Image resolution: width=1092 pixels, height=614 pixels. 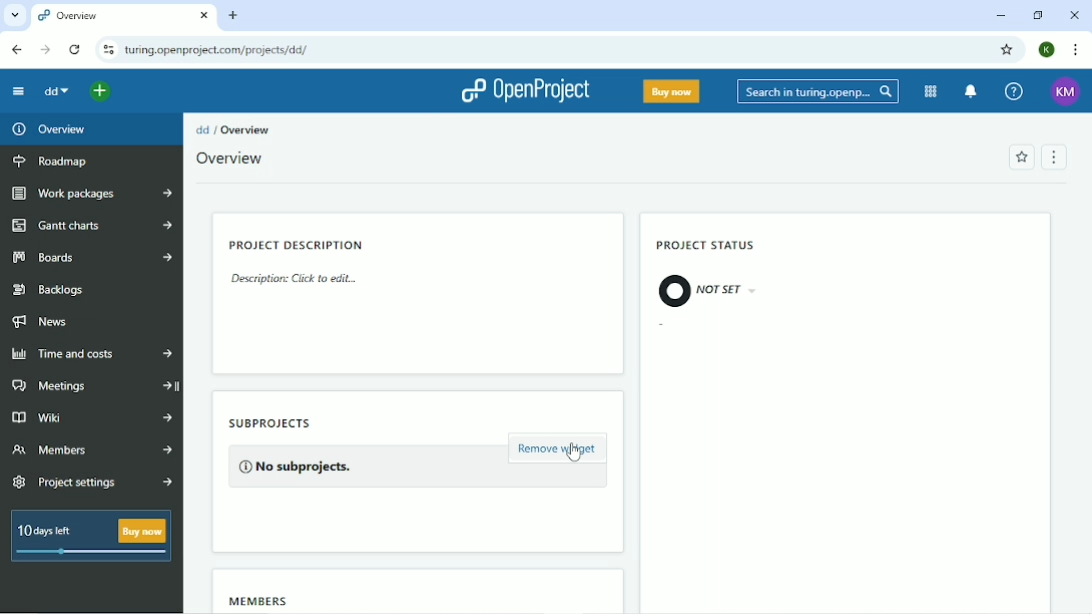 I want to click on Buy now, so click(x=672, y=92).